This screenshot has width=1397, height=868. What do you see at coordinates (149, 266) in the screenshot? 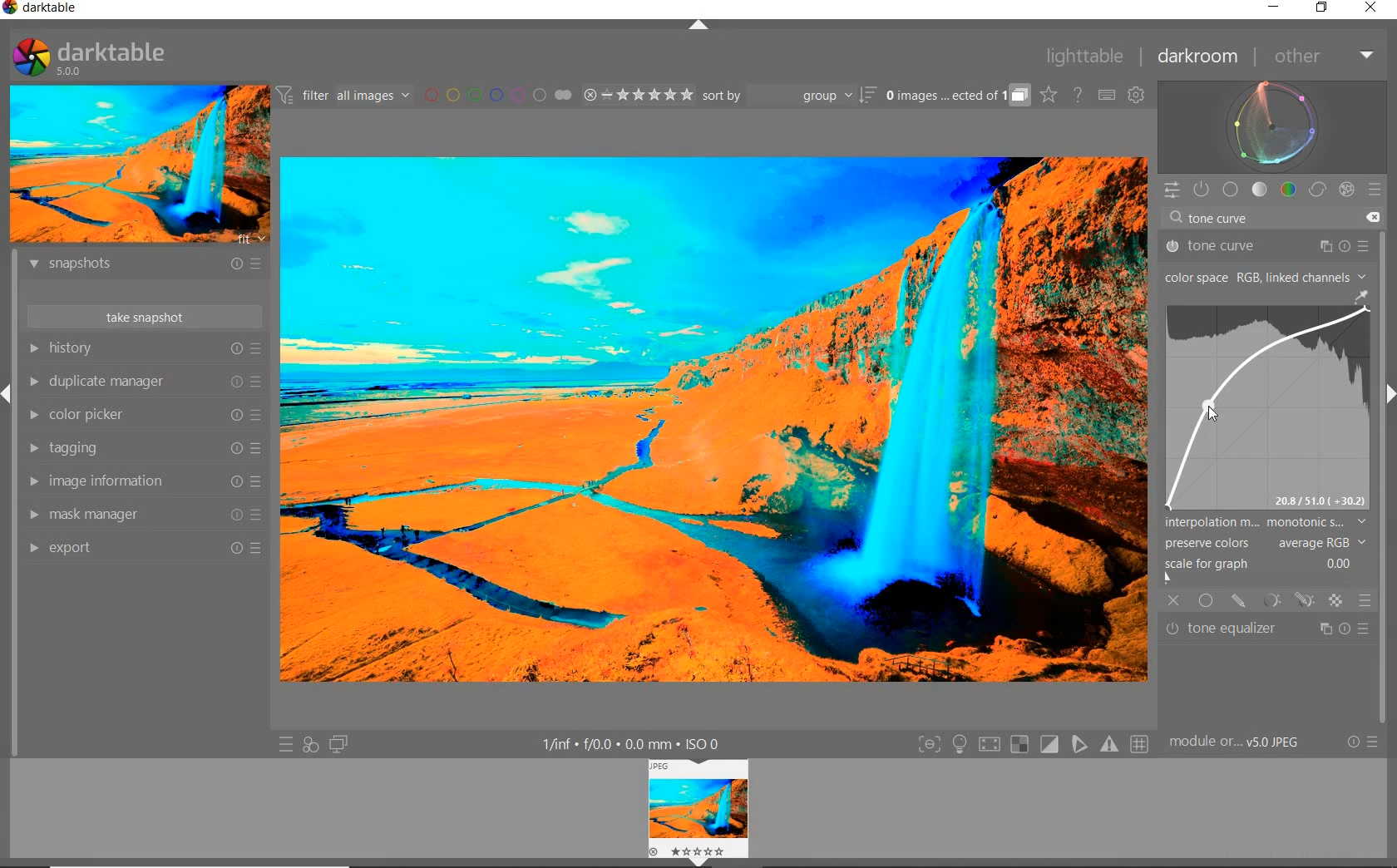
I see `snapshots` at bounding box center [149, 266].